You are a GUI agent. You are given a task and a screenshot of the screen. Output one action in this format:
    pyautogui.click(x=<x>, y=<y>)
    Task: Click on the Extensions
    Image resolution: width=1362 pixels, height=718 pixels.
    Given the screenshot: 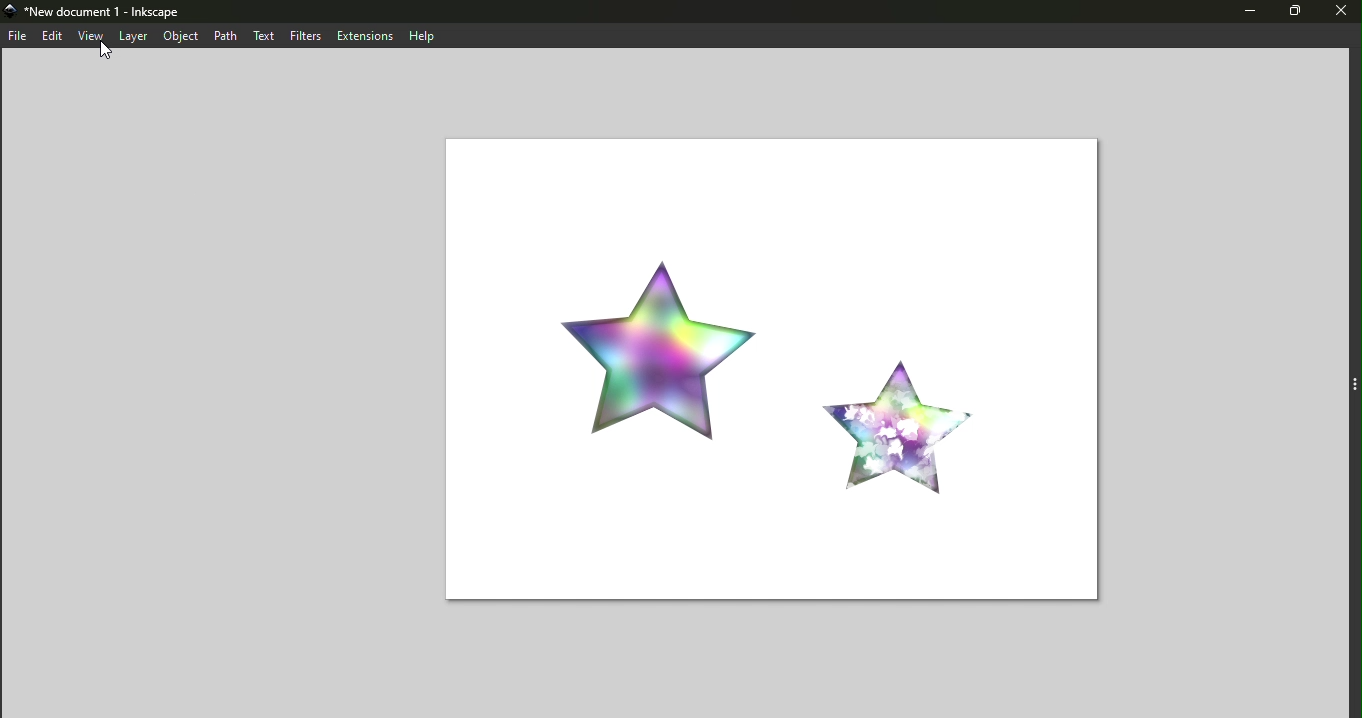 What is the action you would take?
    pyautogui.click(x=367, y=36)
    